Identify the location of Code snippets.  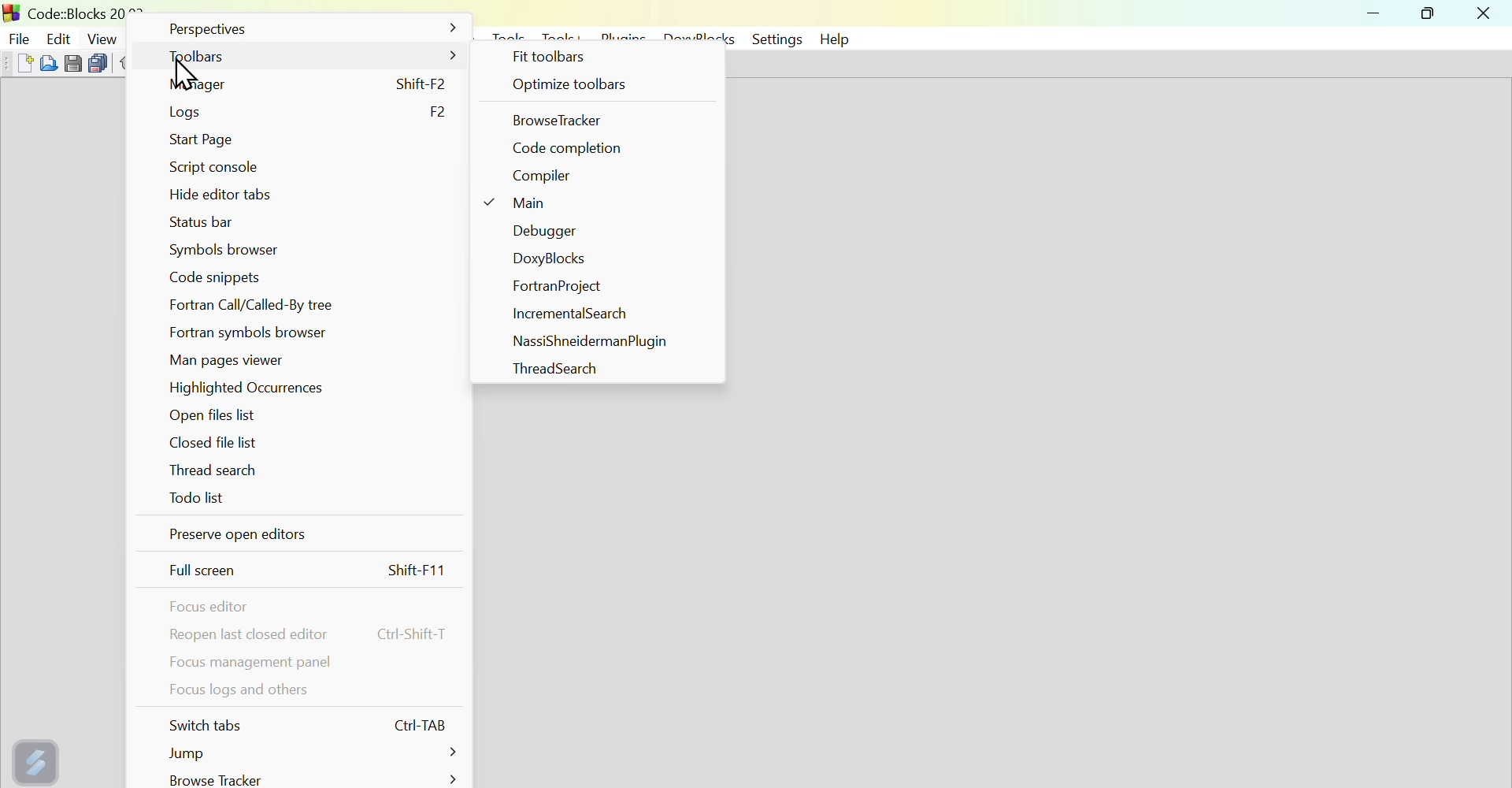
(225, 277).